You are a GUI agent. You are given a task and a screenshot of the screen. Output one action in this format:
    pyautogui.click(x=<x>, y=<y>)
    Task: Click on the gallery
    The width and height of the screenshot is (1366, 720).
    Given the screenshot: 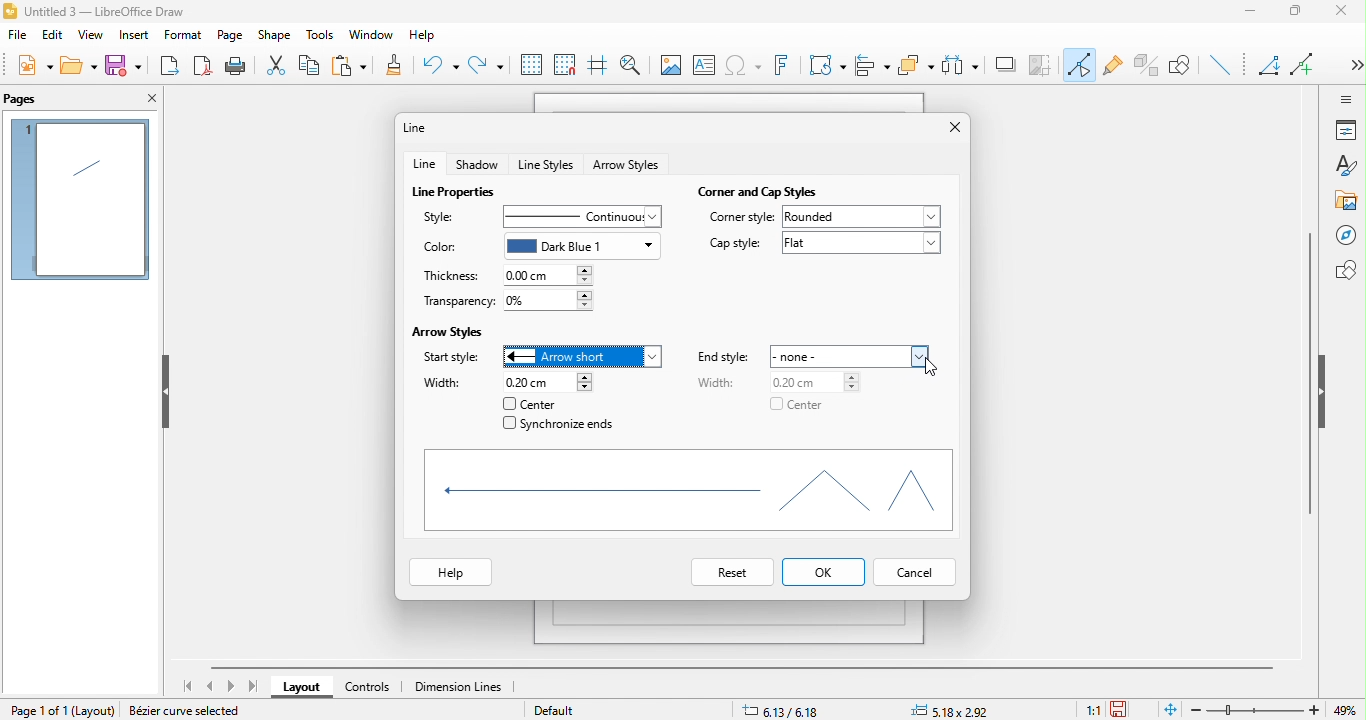 What is the action you would take?
    pyautogui.click(x=1347, y=201)
    